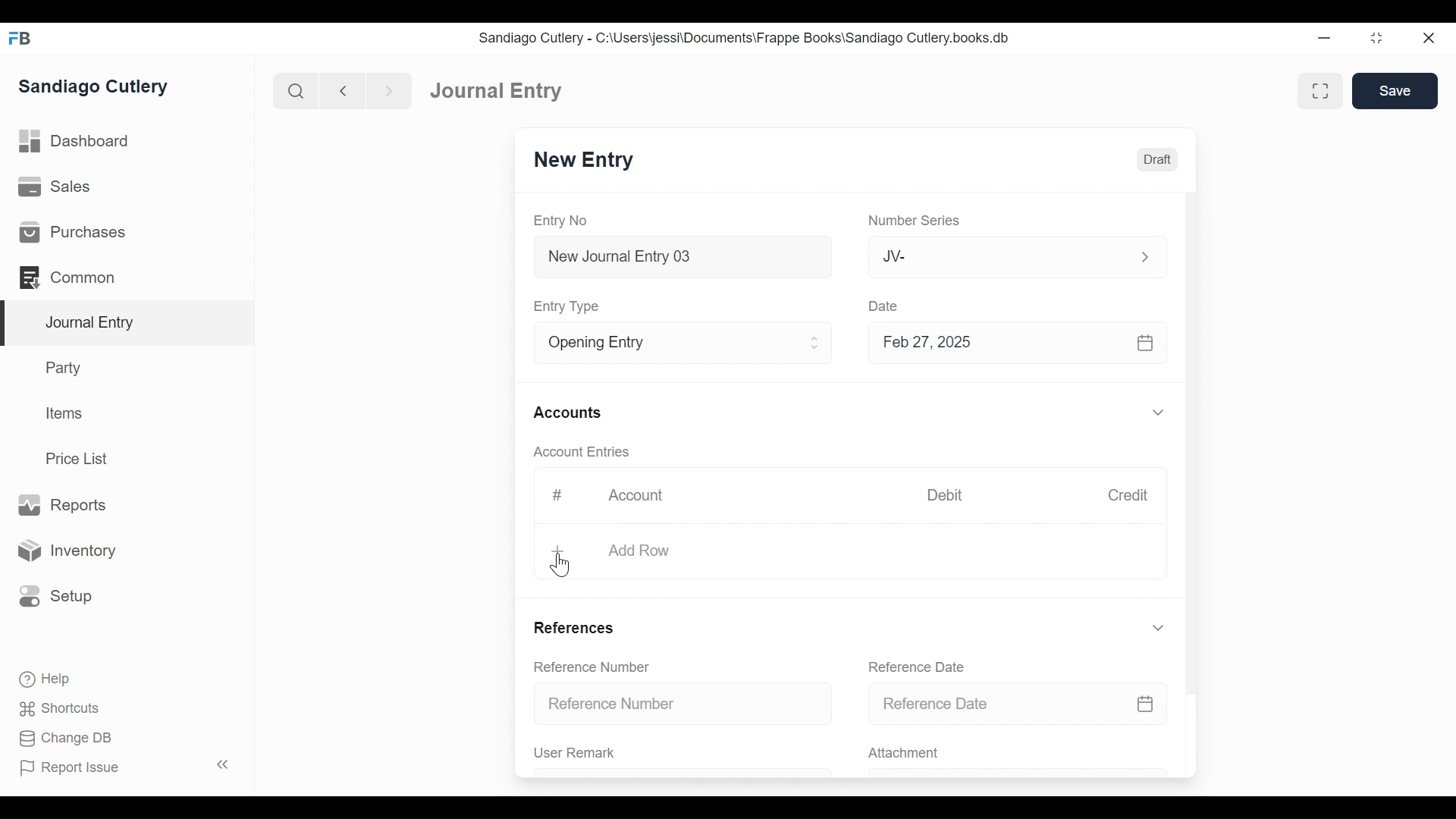 This screenshot has width=1456, height=819. What do you see at coordinates (64, 739) in the screenshot?
I see `Change DB` at bounding box center [64, 739].